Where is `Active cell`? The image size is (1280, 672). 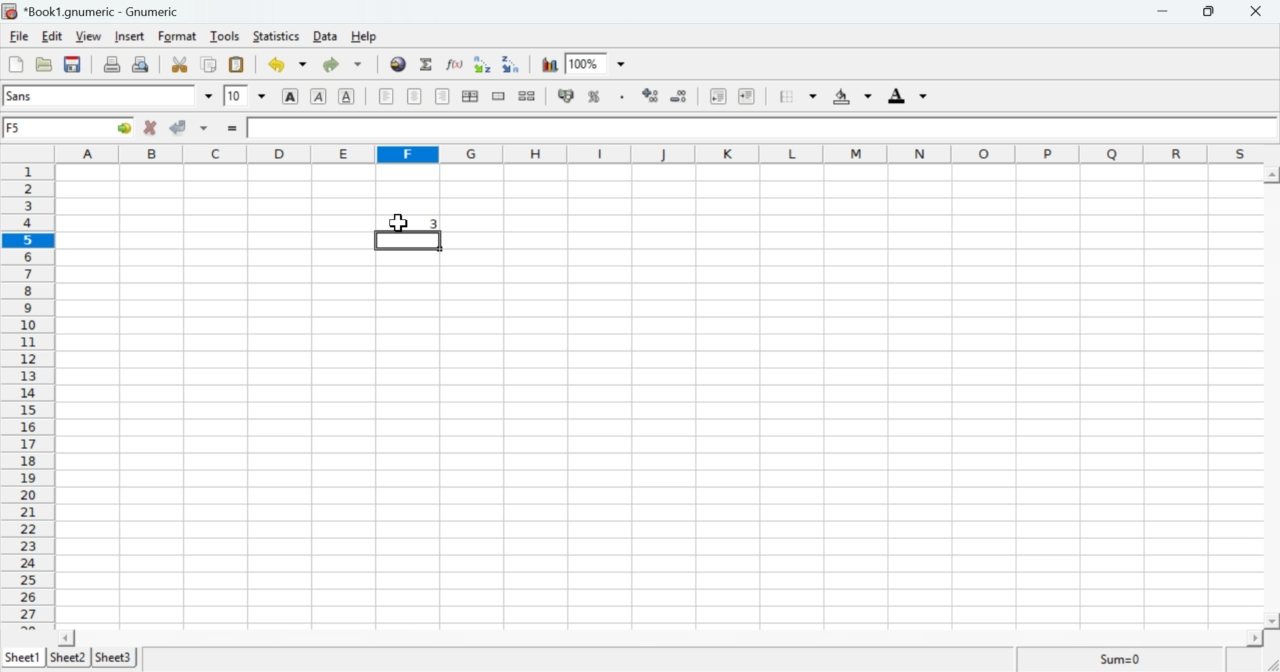 Active cell is located at coordinates (71, 129).